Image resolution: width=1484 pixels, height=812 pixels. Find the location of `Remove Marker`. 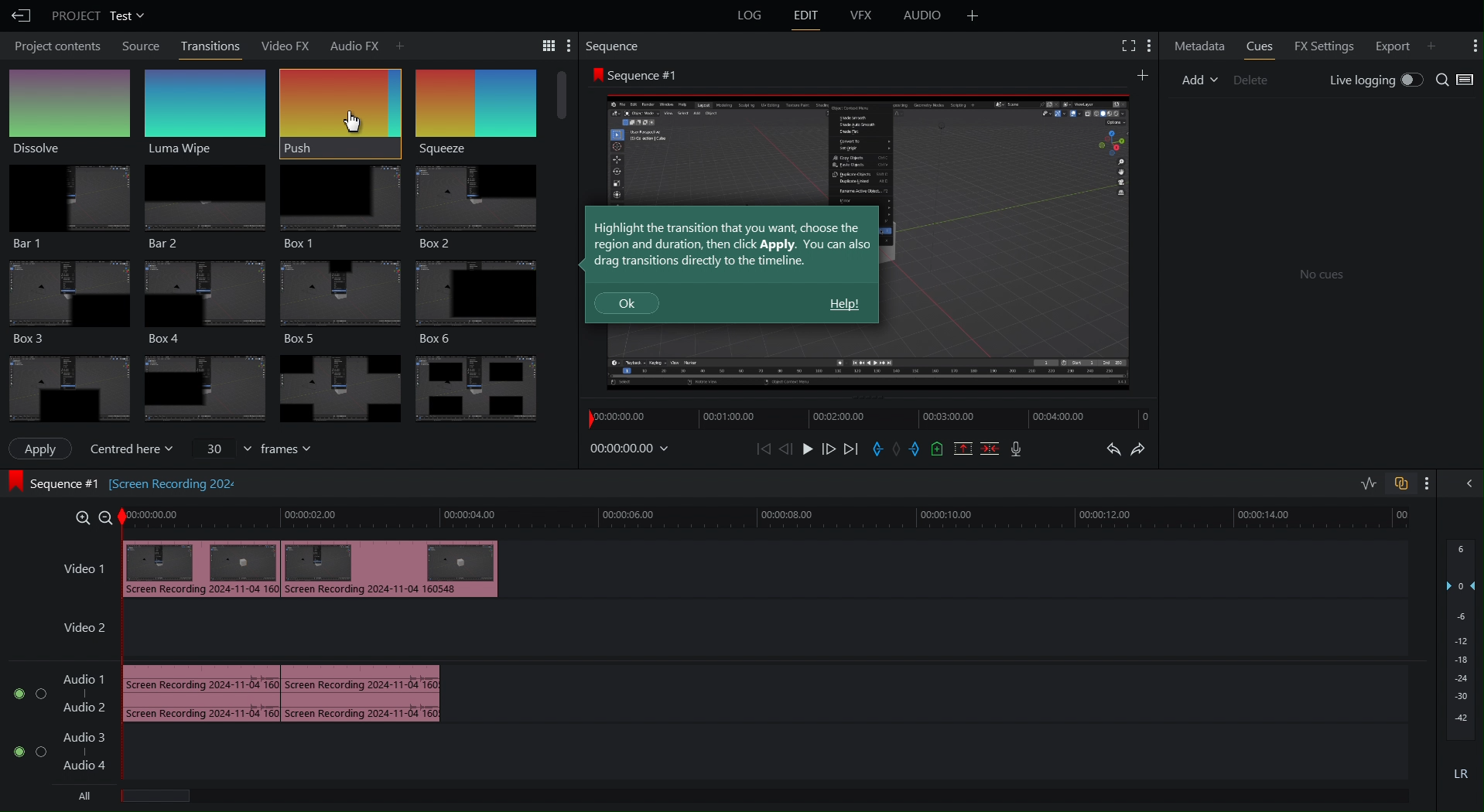

Remove Marker is located at coordinates (899, 449).